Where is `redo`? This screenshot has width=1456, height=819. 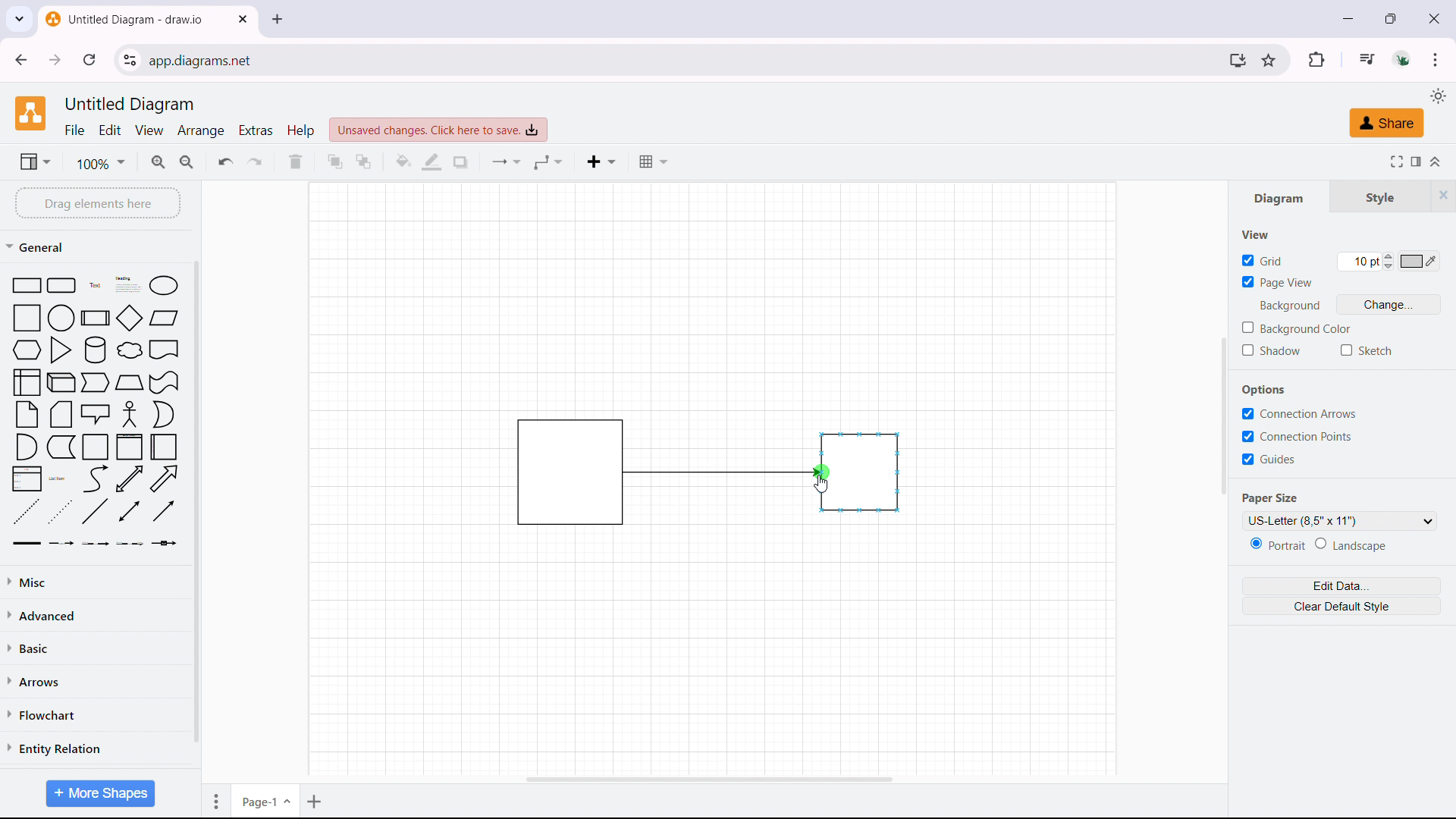 redo is located at coordinates (255, 161).